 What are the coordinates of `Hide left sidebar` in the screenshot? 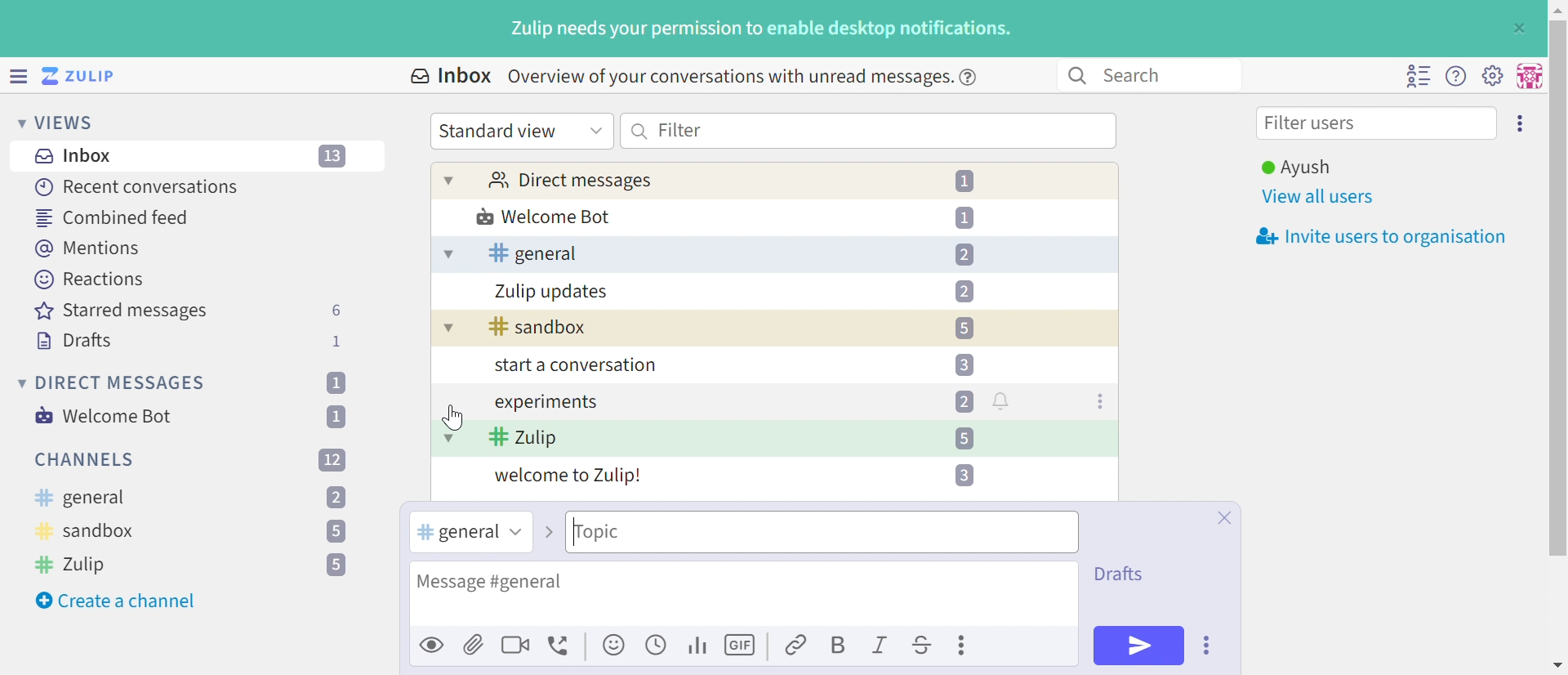 It's located at (20, 76).